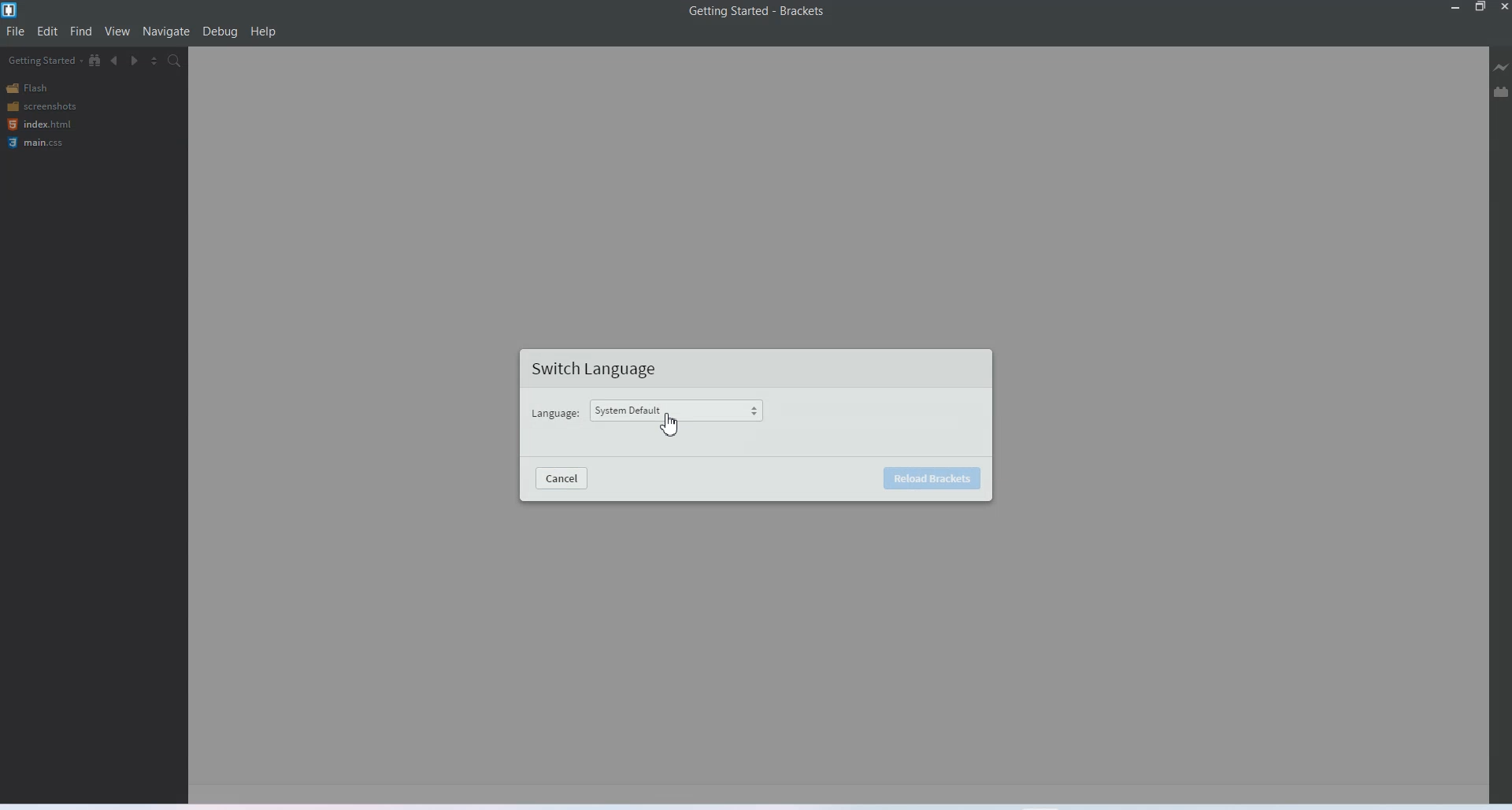  What do you see at coordinates (557, 414) in the screenshot?
I see `language` at bounding box center [557, 414].